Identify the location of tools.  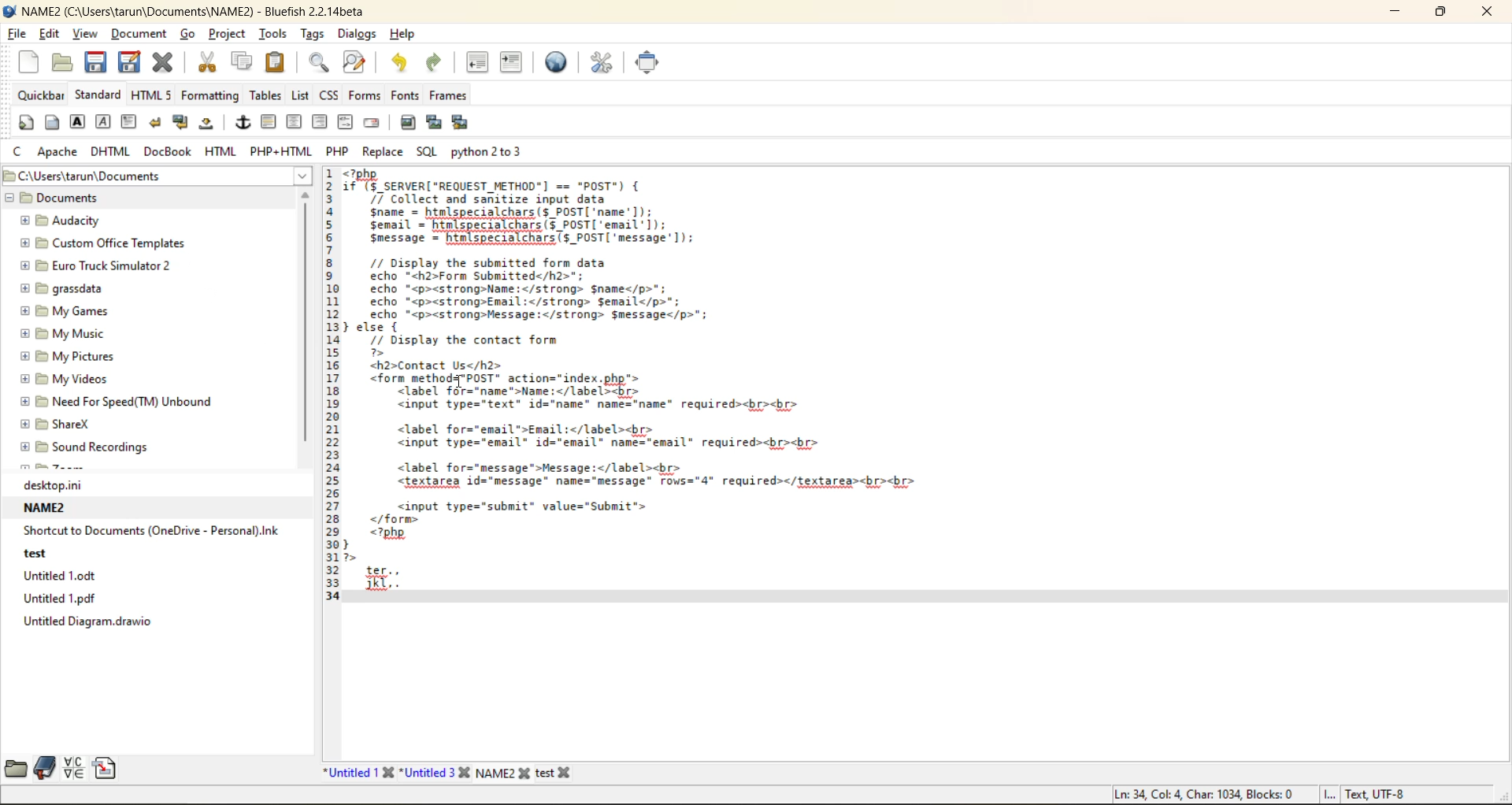
(277, 33).